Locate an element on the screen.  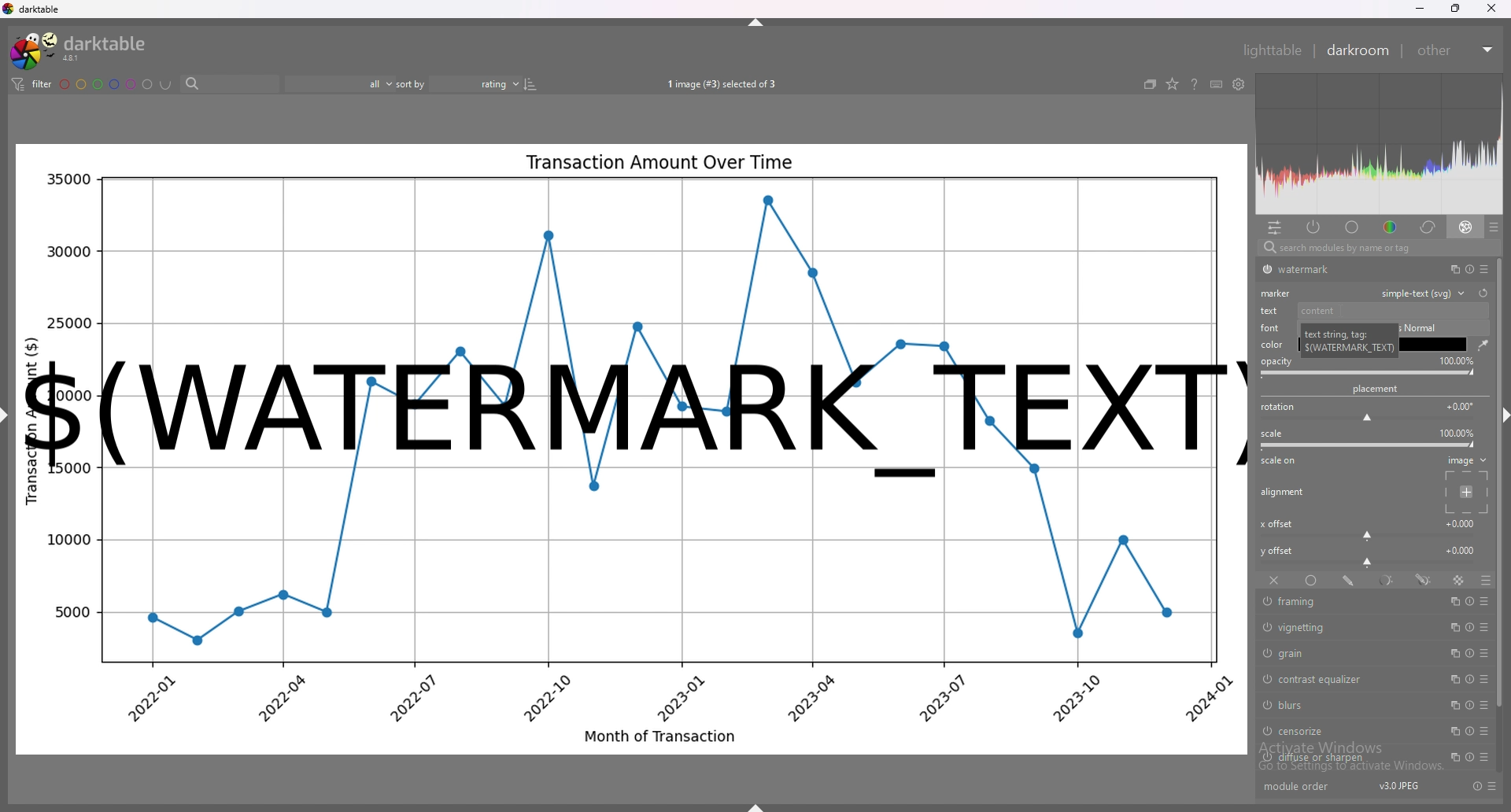
x offset is located at coordinates (1276, 524).